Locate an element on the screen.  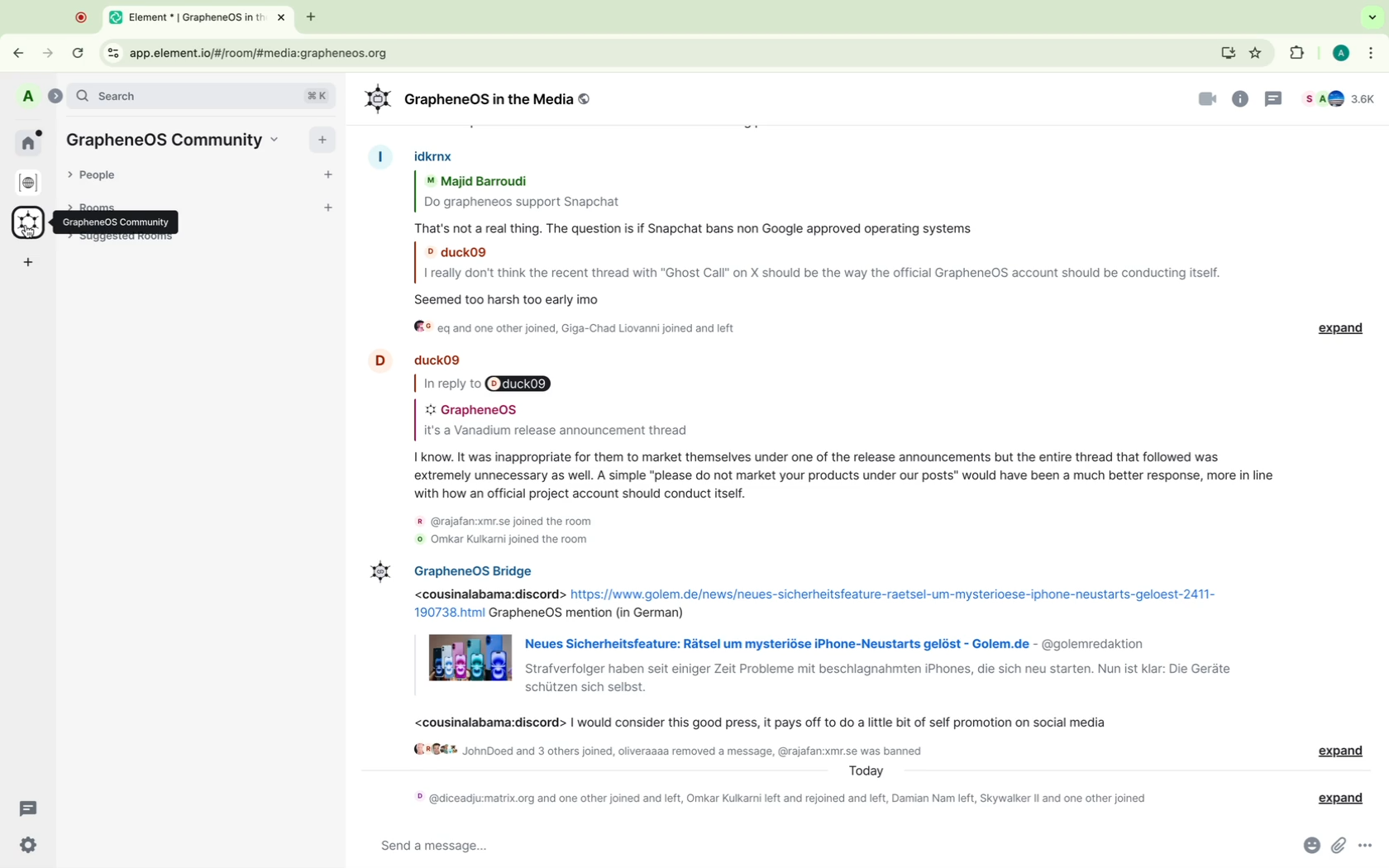
send message is located at coordinates (790, 845).